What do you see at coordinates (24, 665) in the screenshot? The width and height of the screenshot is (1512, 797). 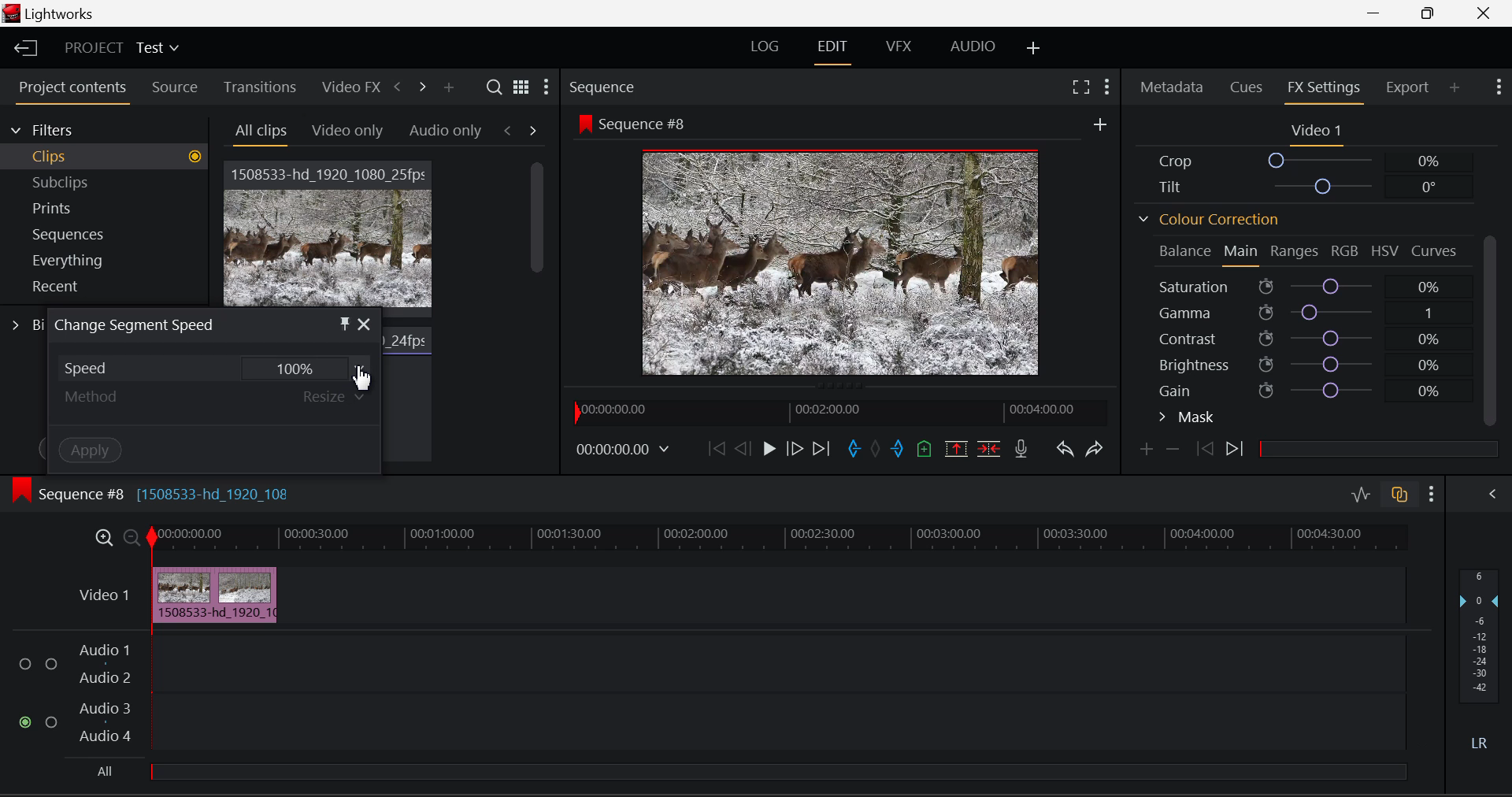 I see `Audio Input Checkbox` at bounding box center [24, 665].